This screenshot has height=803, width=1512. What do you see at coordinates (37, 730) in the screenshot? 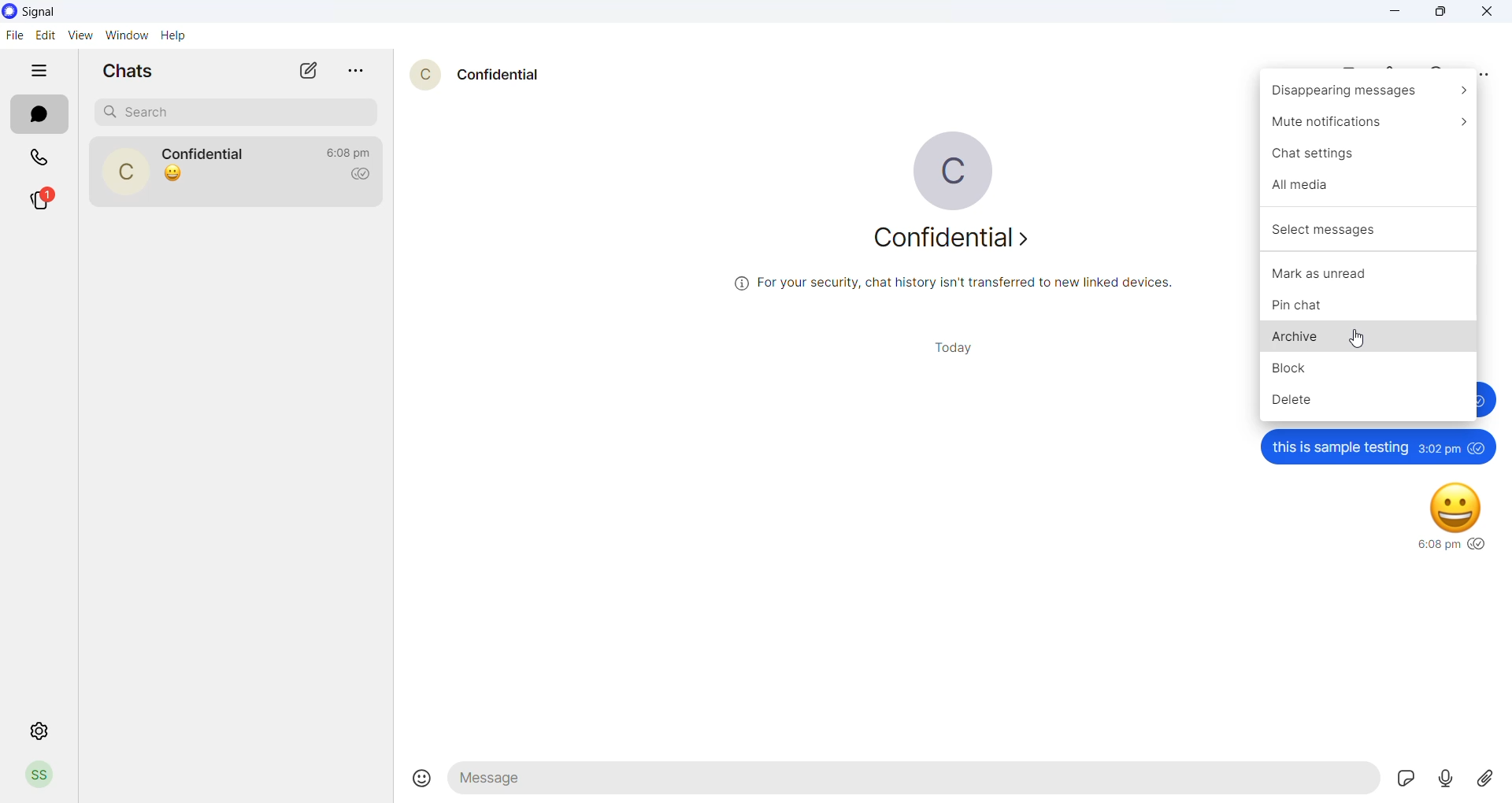
I see `settings` at bounding box center [37, 730].